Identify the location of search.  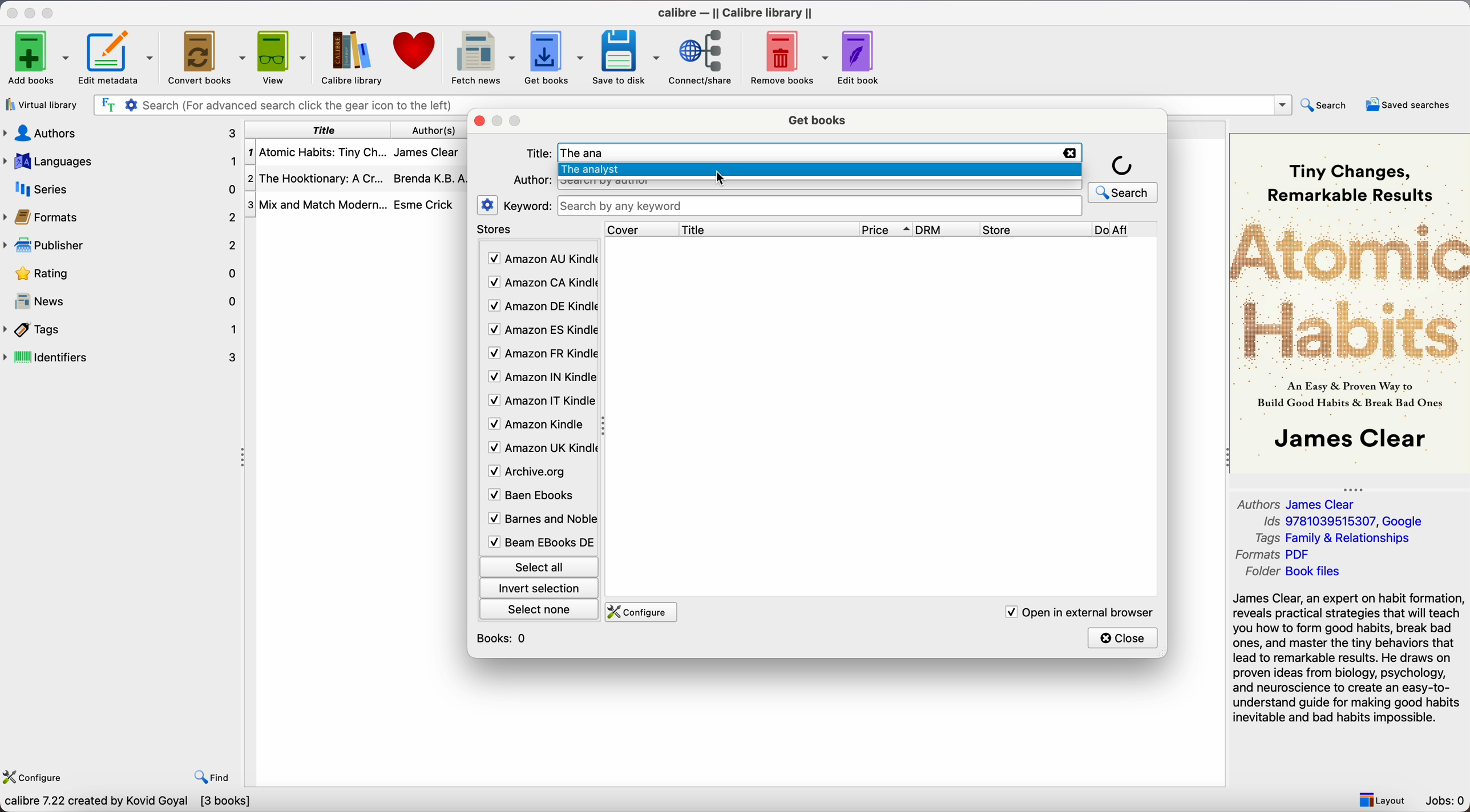
(1122, 192).